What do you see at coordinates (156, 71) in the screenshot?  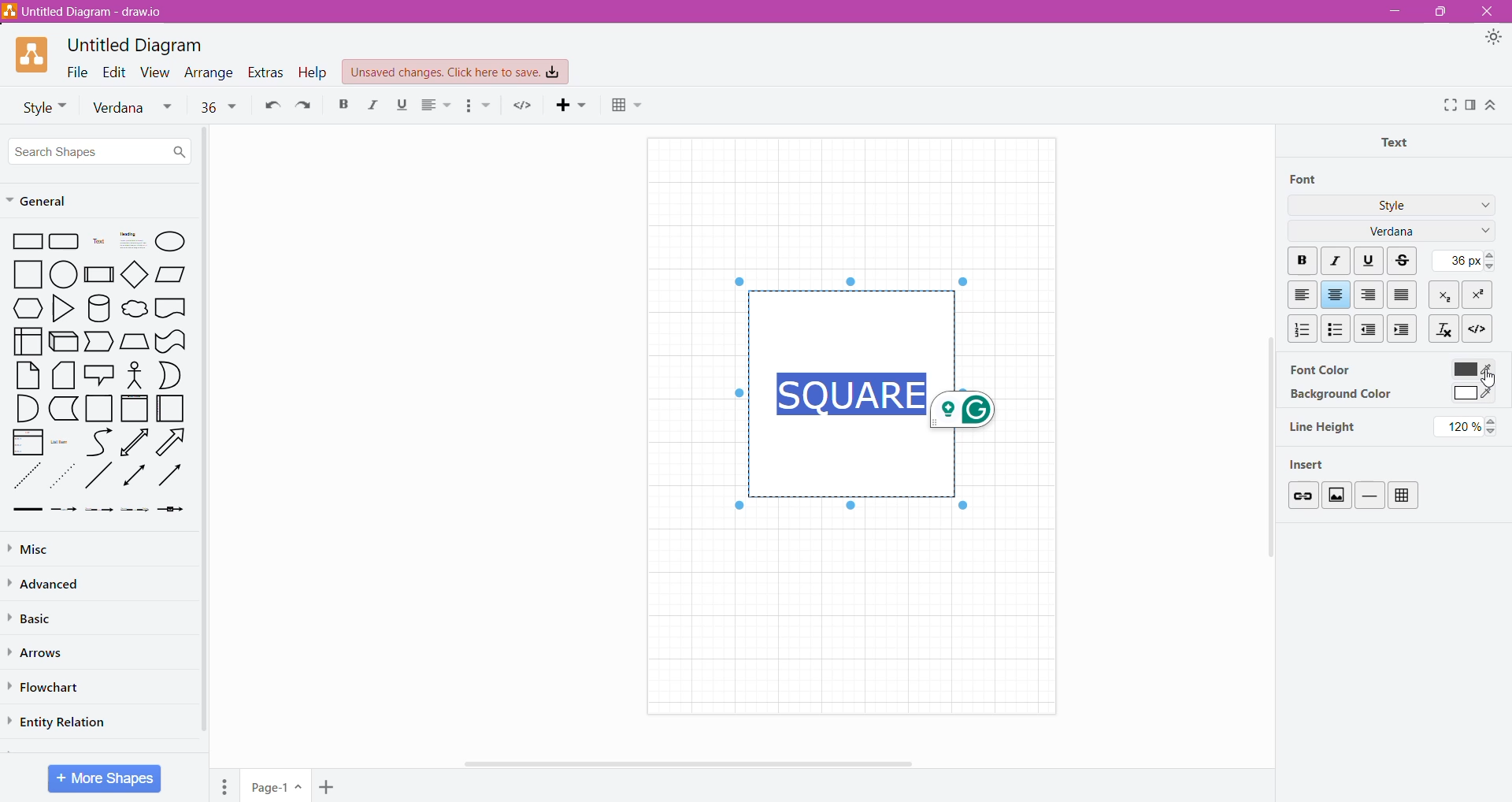 I see `View` at bounding box center [156, 71].